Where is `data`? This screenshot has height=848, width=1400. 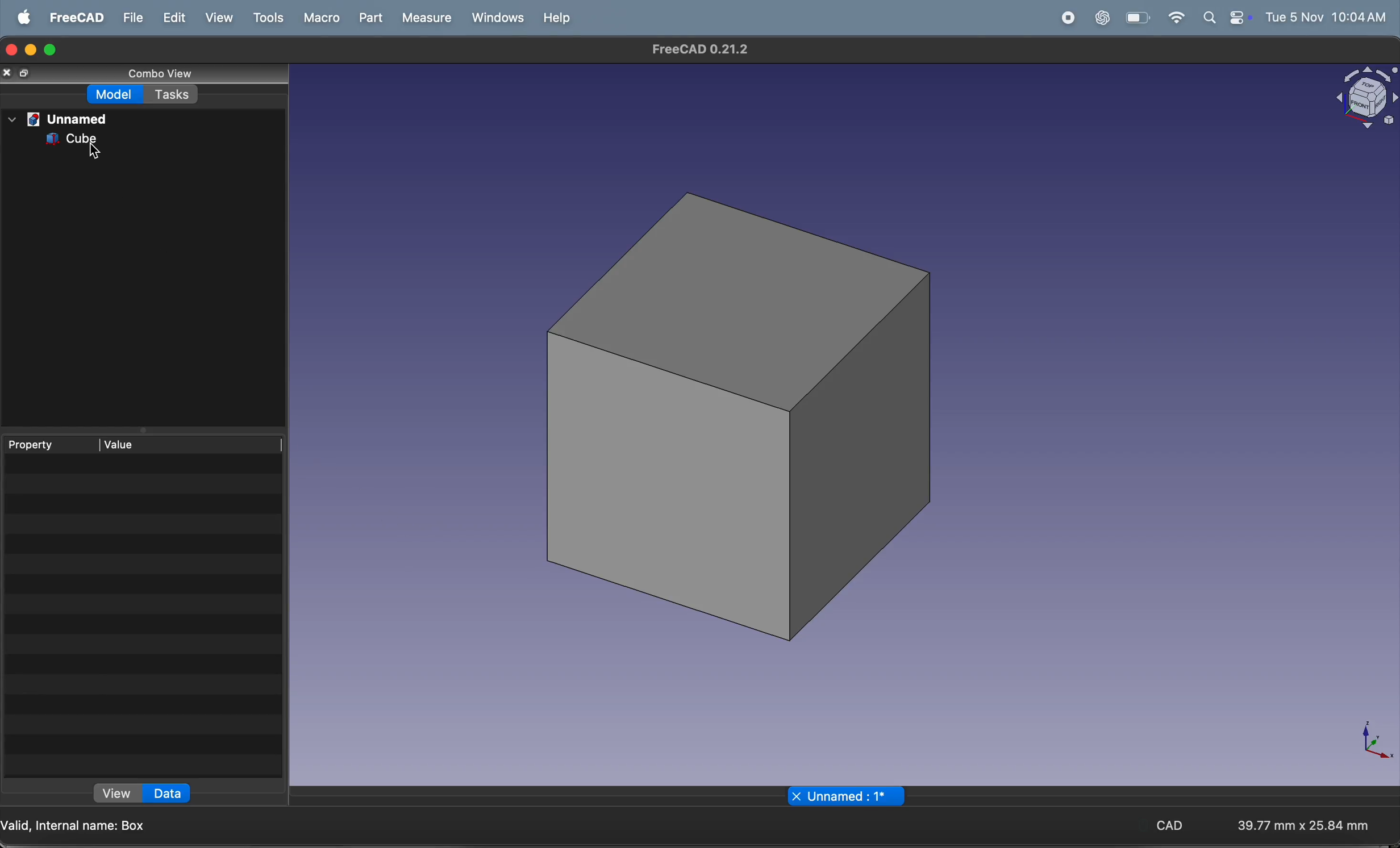 data is located at coordinates (169, 793).